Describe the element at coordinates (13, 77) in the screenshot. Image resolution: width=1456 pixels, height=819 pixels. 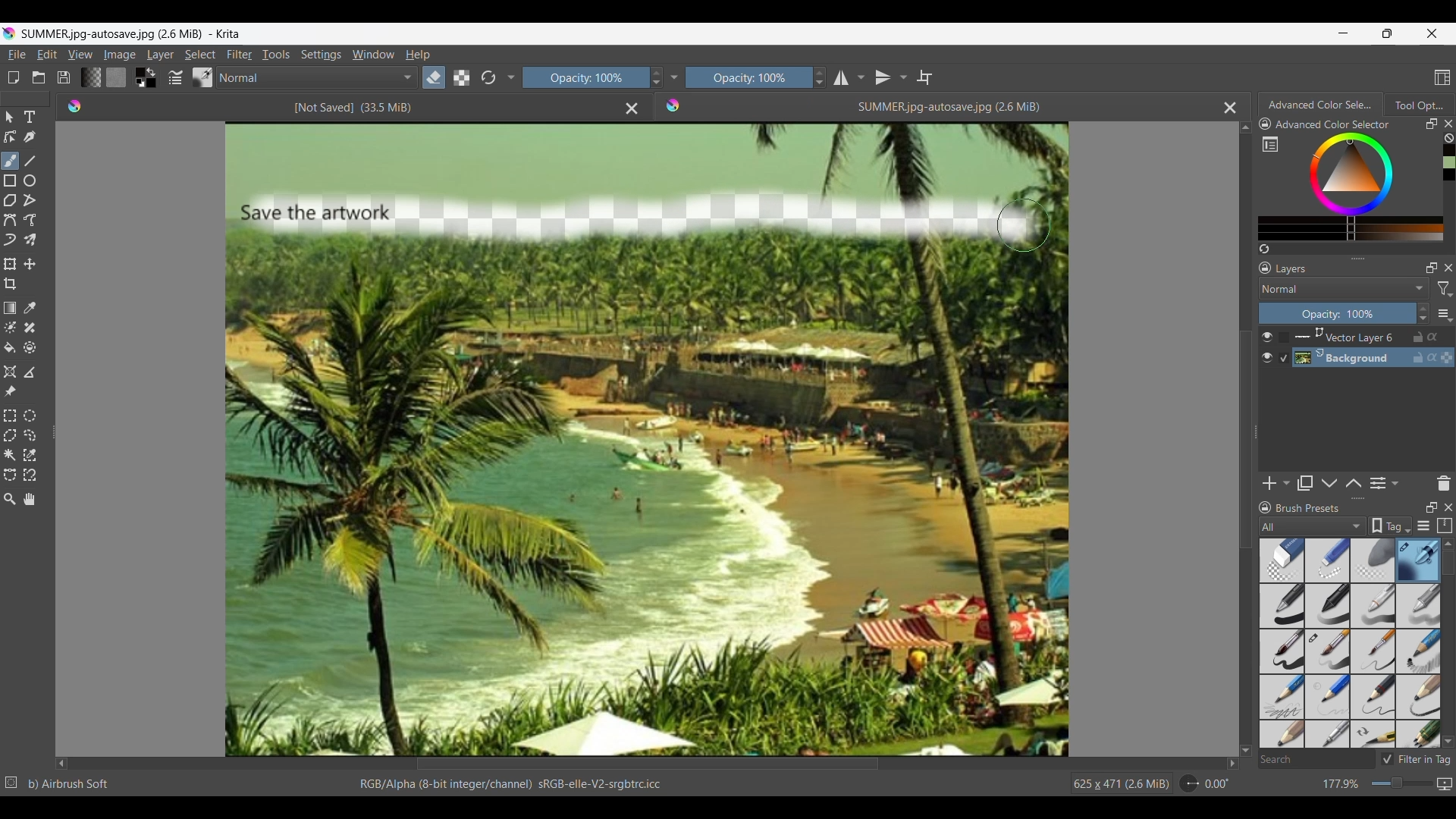
I see `Open new document` at that location.